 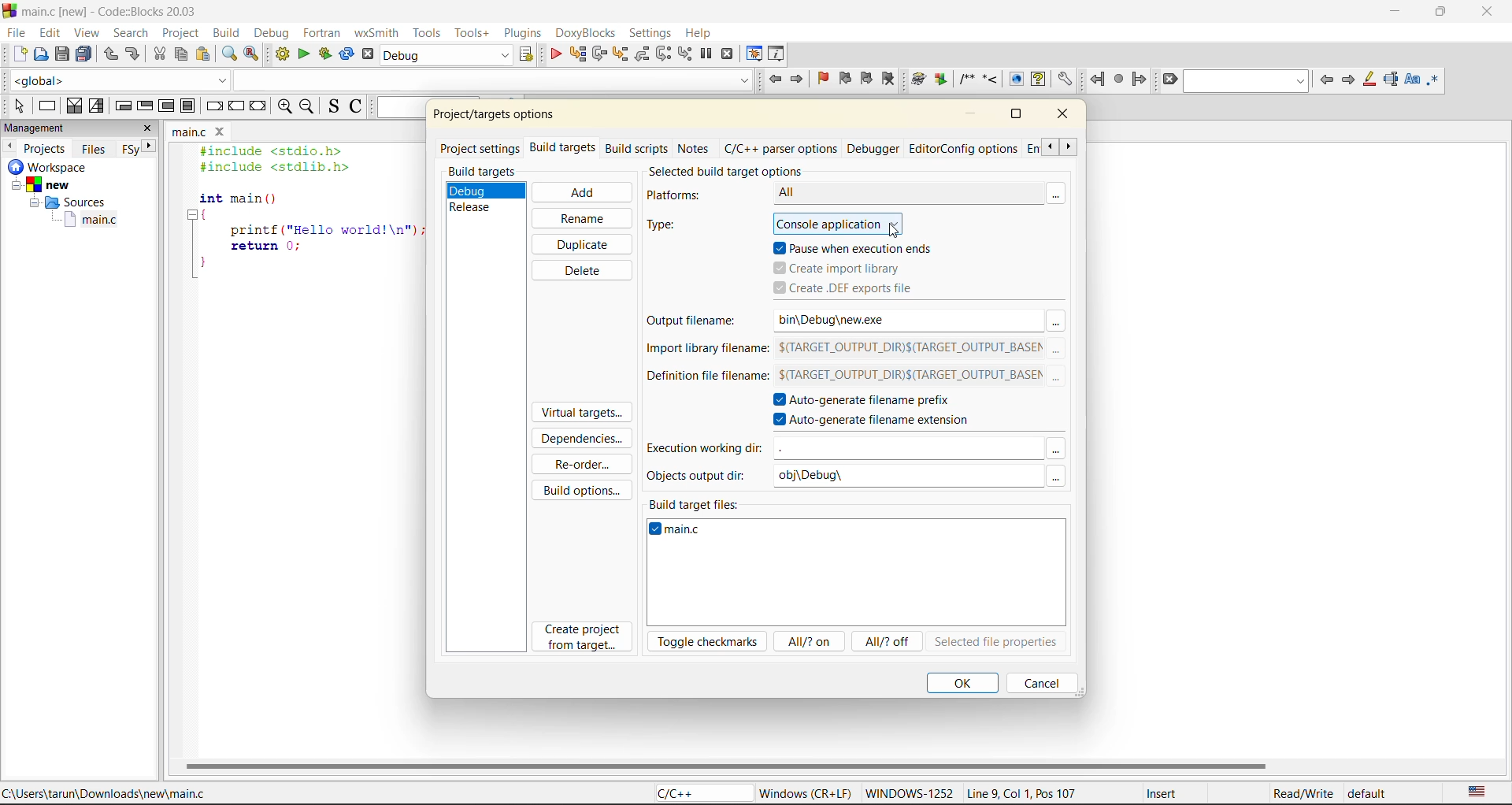 I want to click on code blocks logo, so click(x=9, y=11).